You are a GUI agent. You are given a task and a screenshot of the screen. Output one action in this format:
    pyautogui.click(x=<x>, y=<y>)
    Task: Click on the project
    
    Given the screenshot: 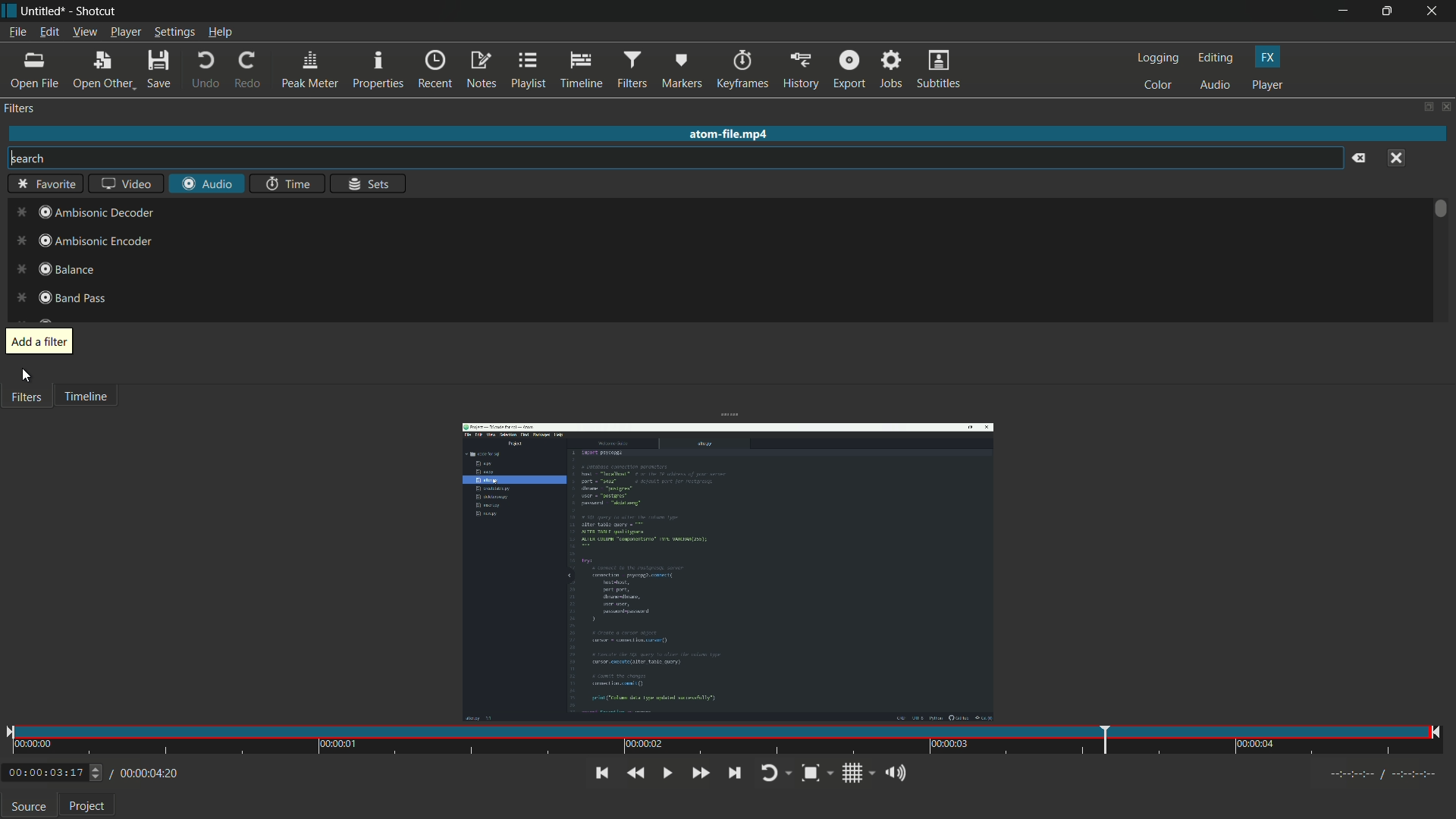 What is the action you would take?
    pyautogui.click(x=87, y=808)
    